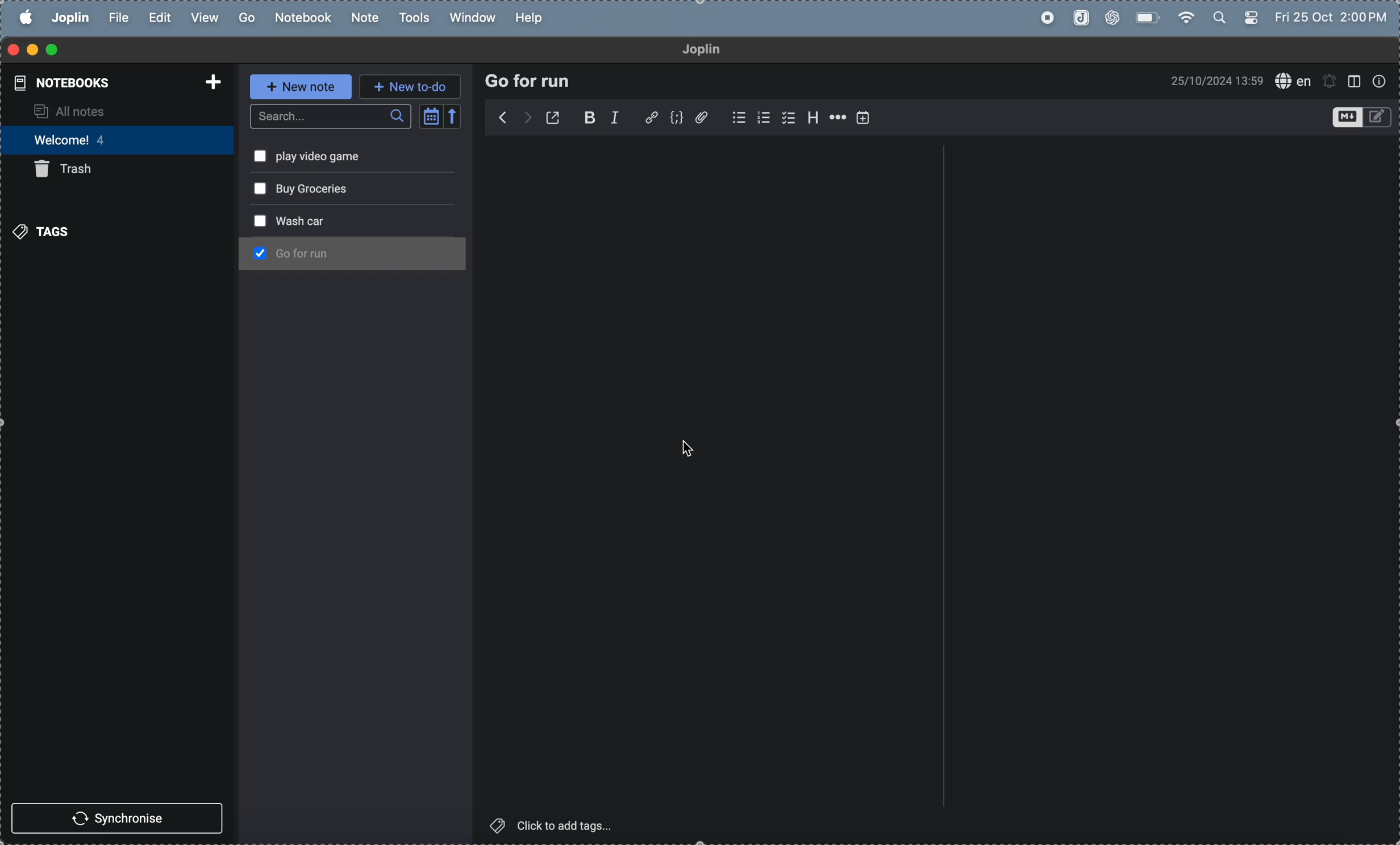 Image resolution: width=1400 pixels, height=845 pixels. I want to click on checked task, so click(258, 252).